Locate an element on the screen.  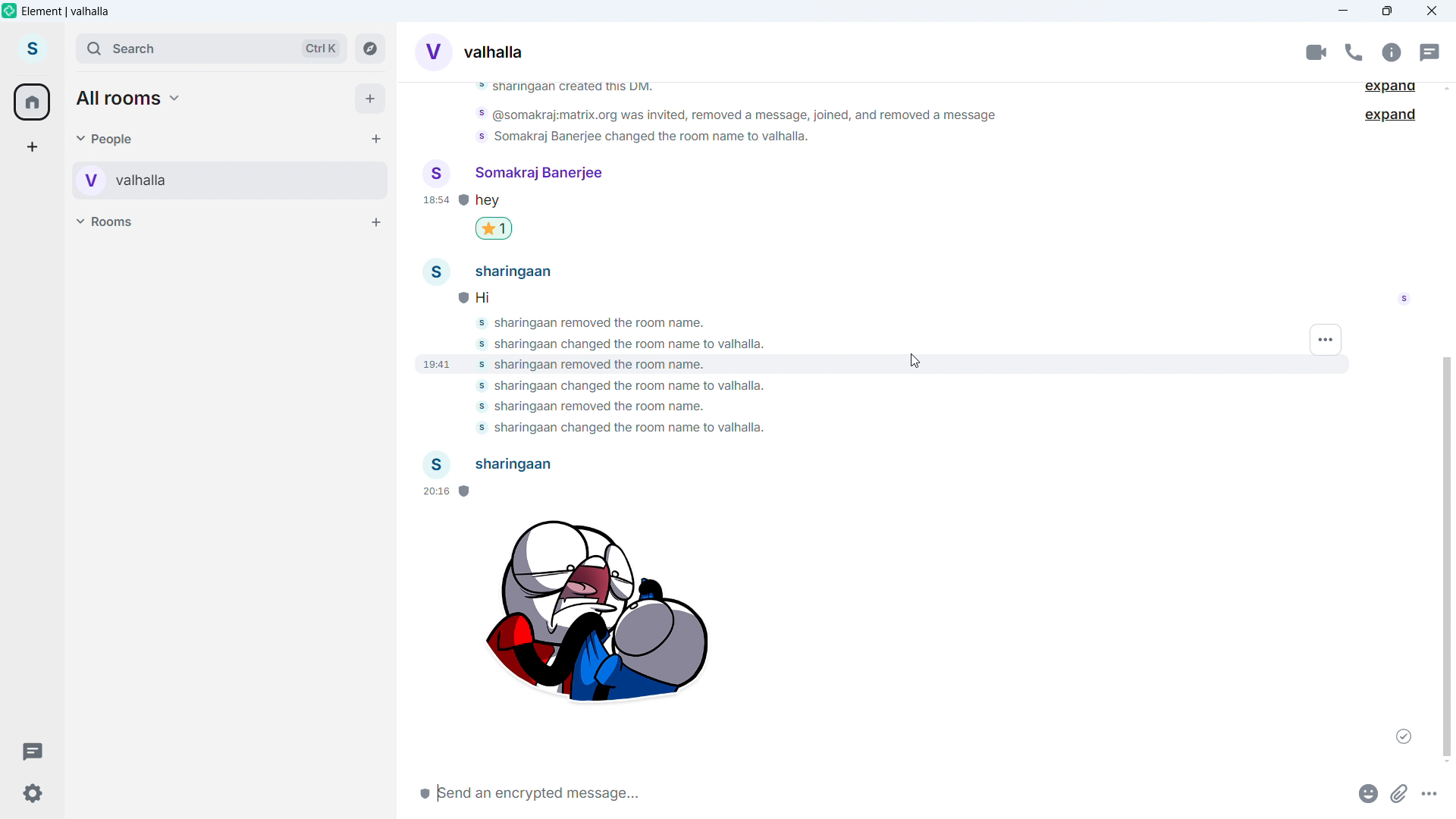
expand is located at coordinates (1394, 117).